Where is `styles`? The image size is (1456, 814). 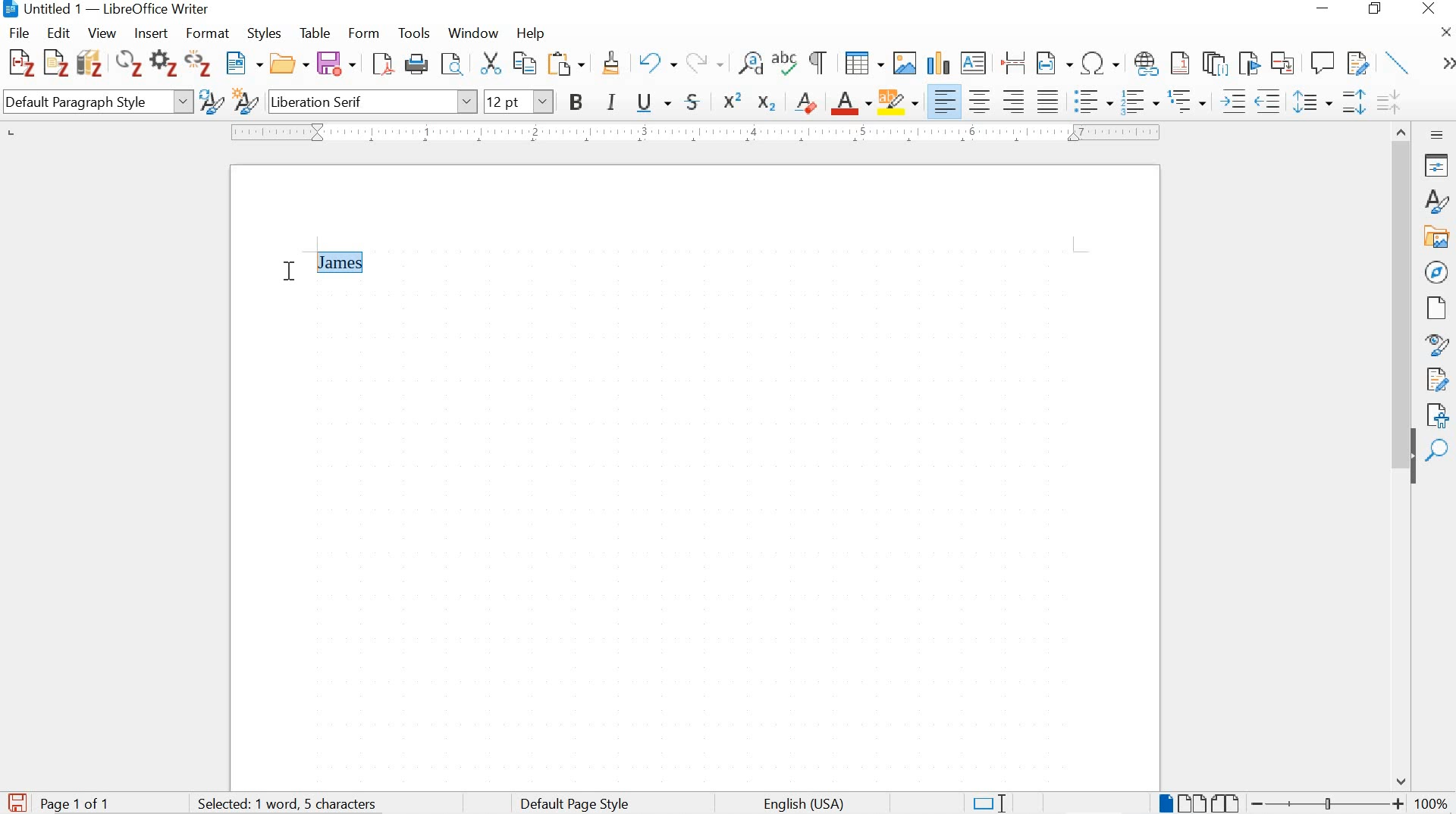
styles is located at coordinates (267, 35).